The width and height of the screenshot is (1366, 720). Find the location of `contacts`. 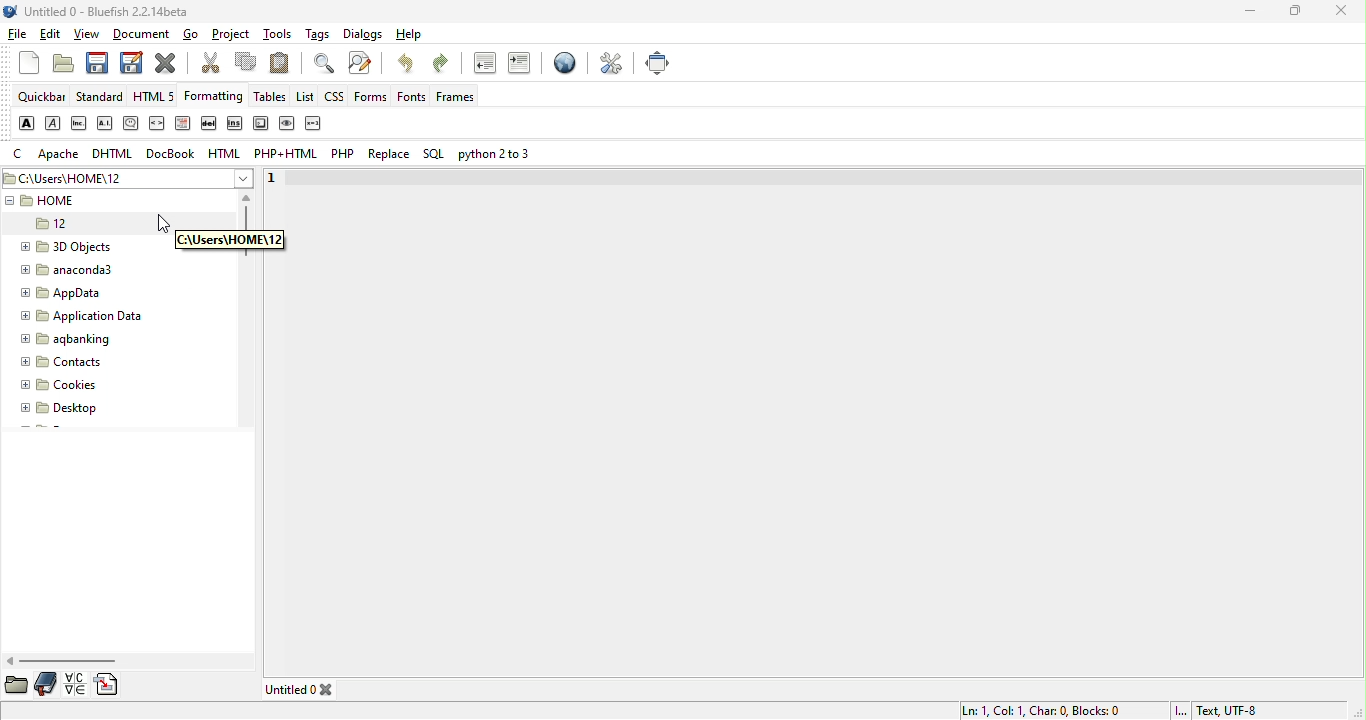

contacts is located at coordinates (65, 363).